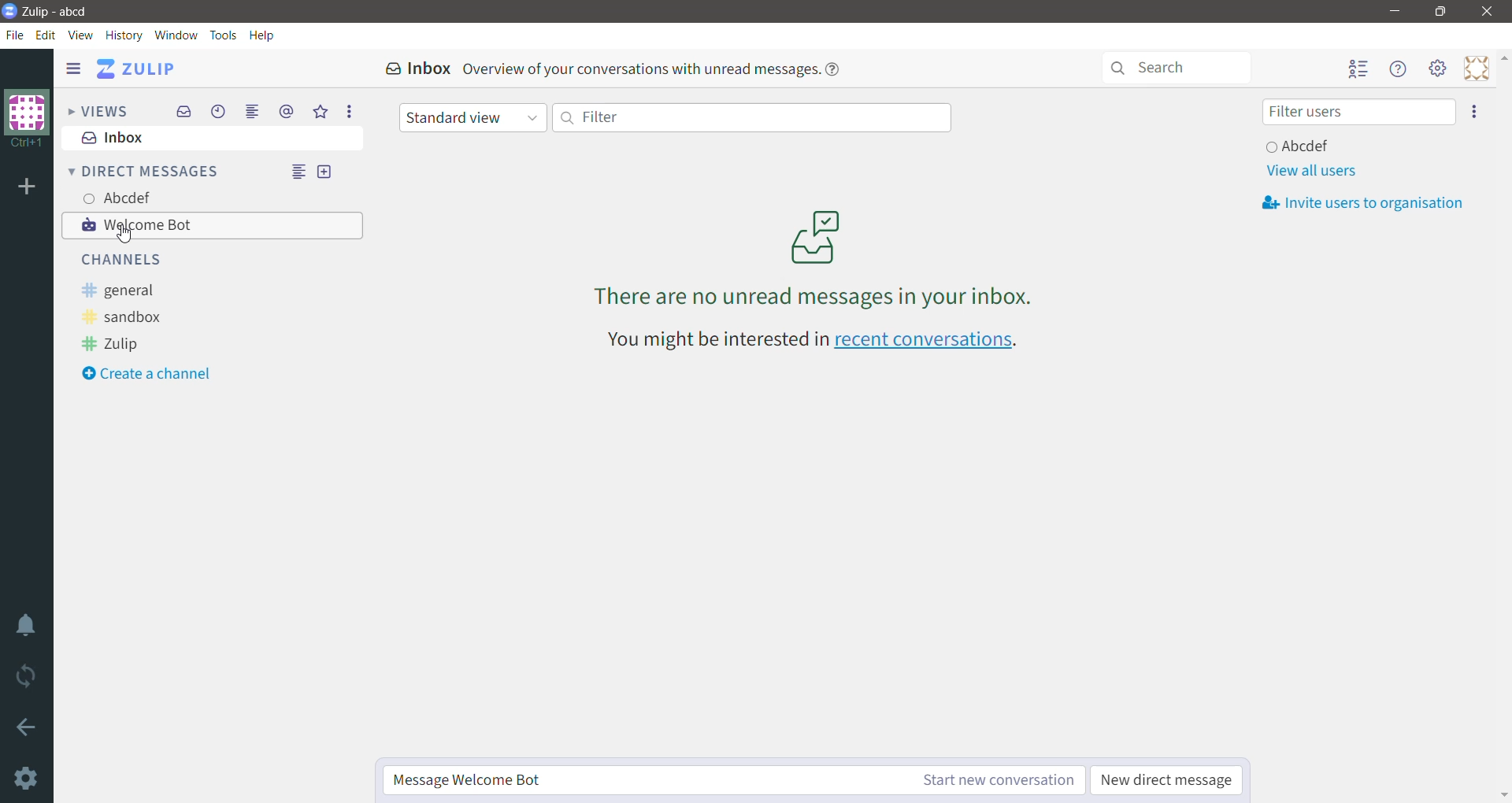 The width and height of the screenshot is (1512, 803). Describe the element at coordinates (1503, 424) in the screenshot. I see `Vertical Scroll Bar` at that location.